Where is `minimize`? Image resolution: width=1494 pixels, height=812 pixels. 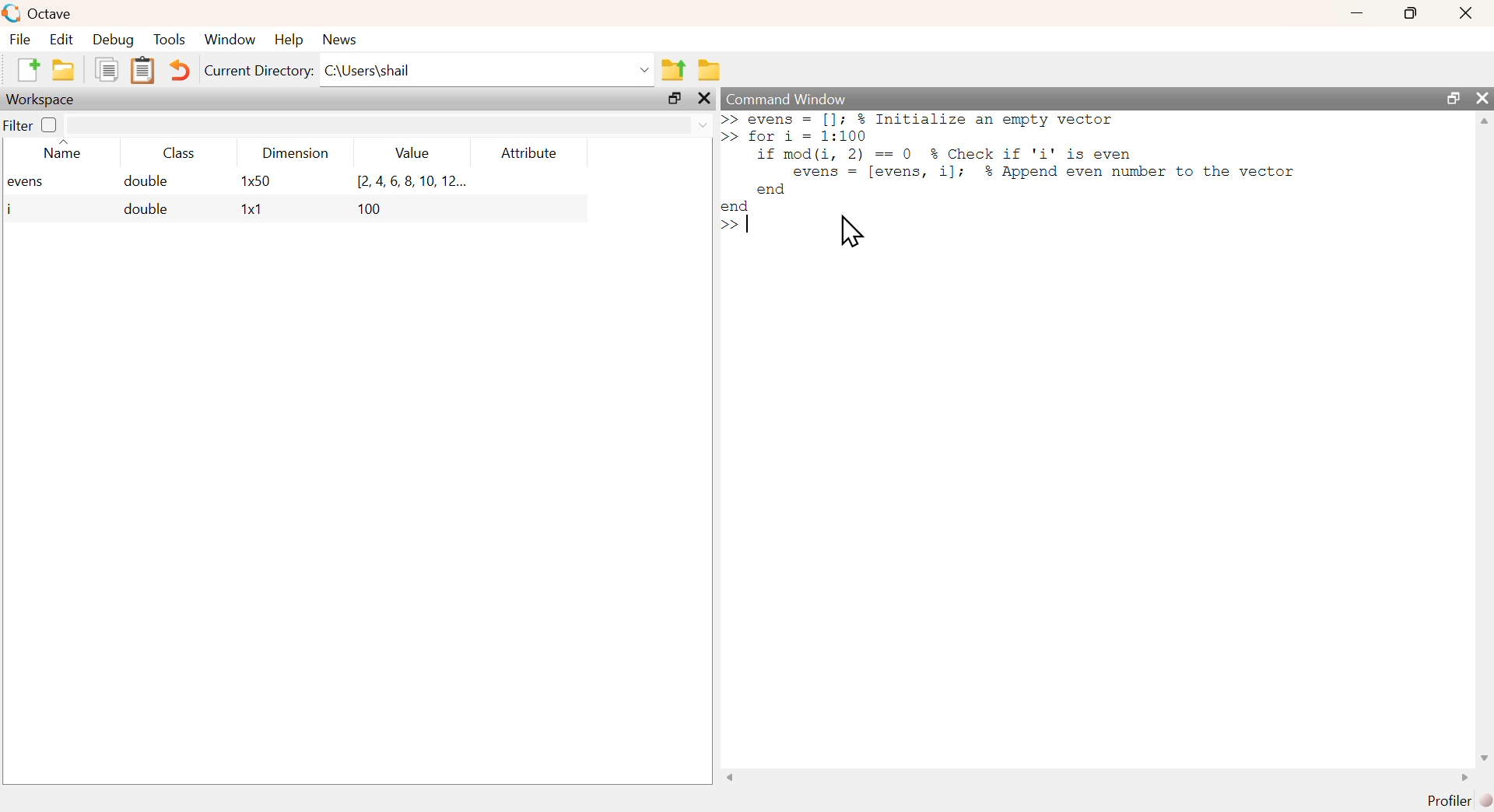
minimize is located at coordinates (1355, 14).